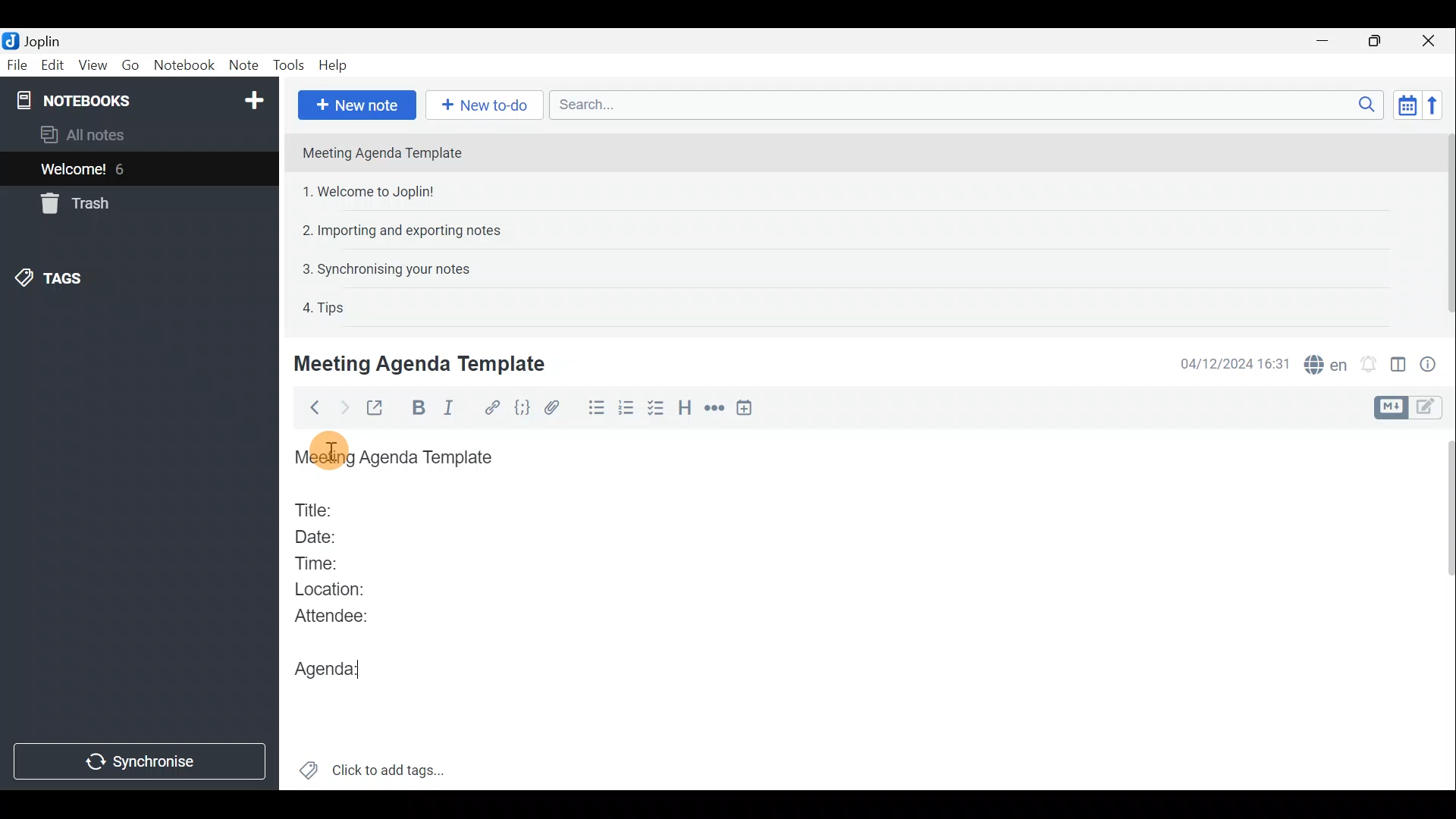 The image size is (1456, 819). I want to click on Title:, so click(316, 507).